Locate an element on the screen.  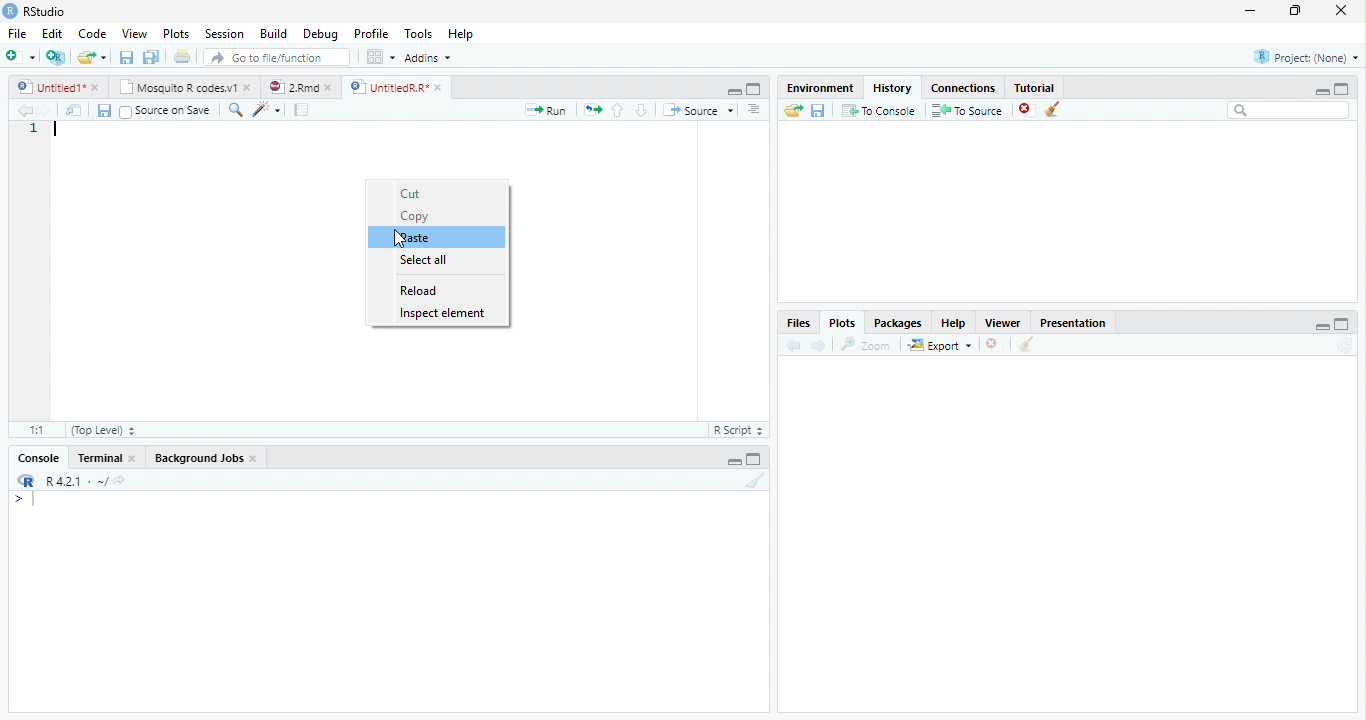
clear is located at coordinates (1053, 110).